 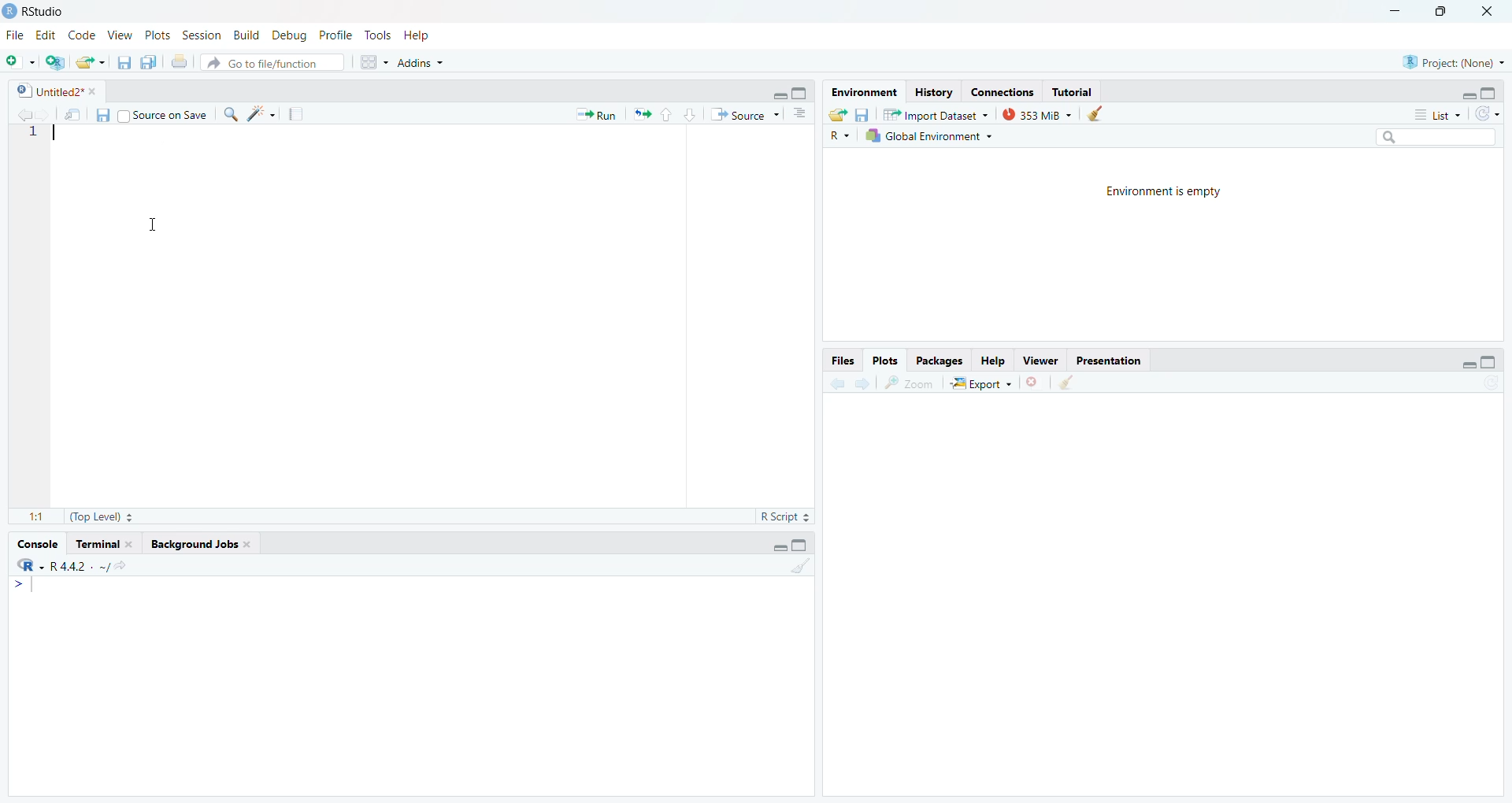 What do you see at coordinates (943, 361) in the screenshot?
I see `Packages` at bounding box center [943, 361].